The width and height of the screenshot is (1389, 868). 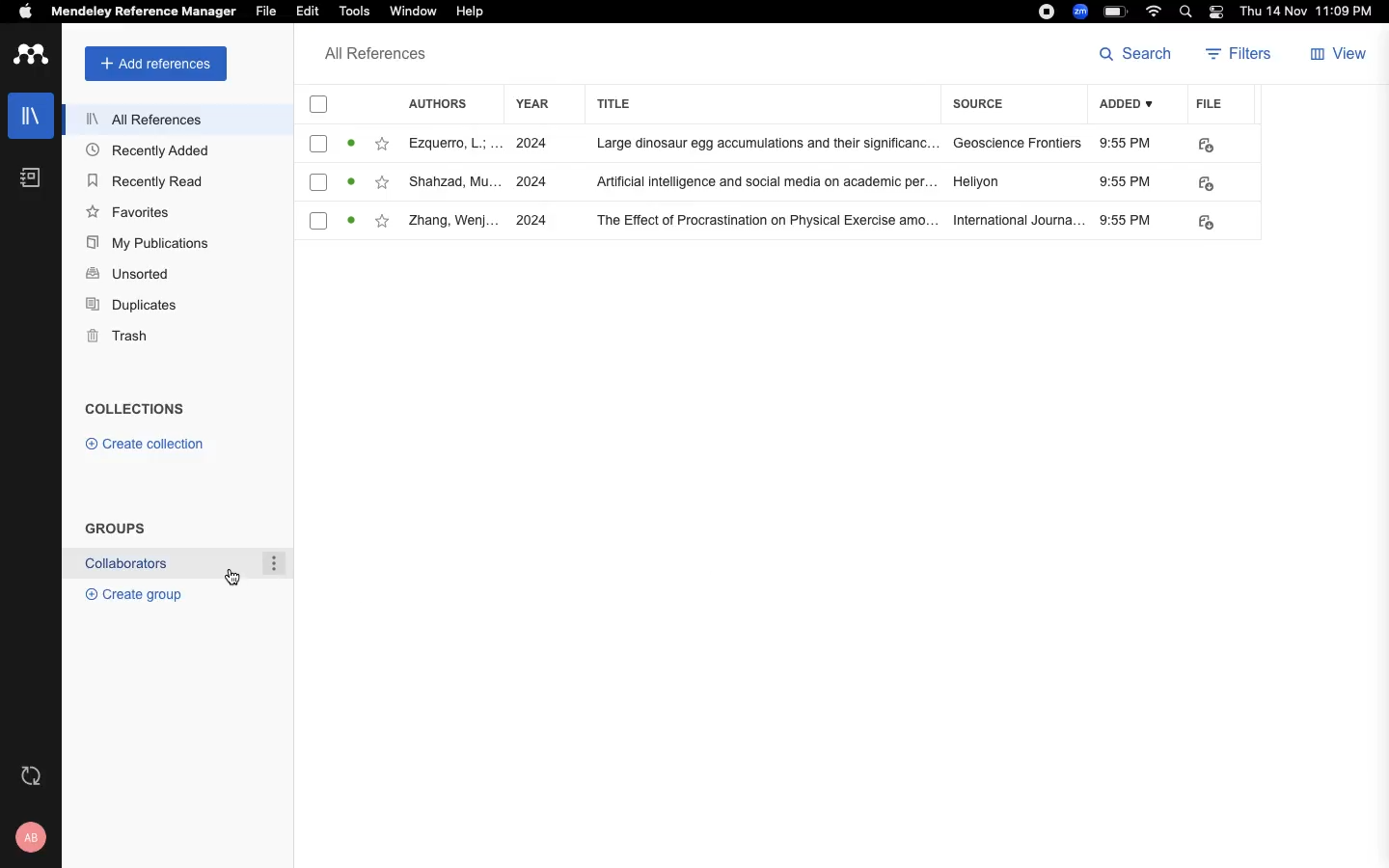 What do you see at coordinates (144, 13) in the screenshot?
I see `Mendeley Reference Manager` at bounding box center [144, 13].